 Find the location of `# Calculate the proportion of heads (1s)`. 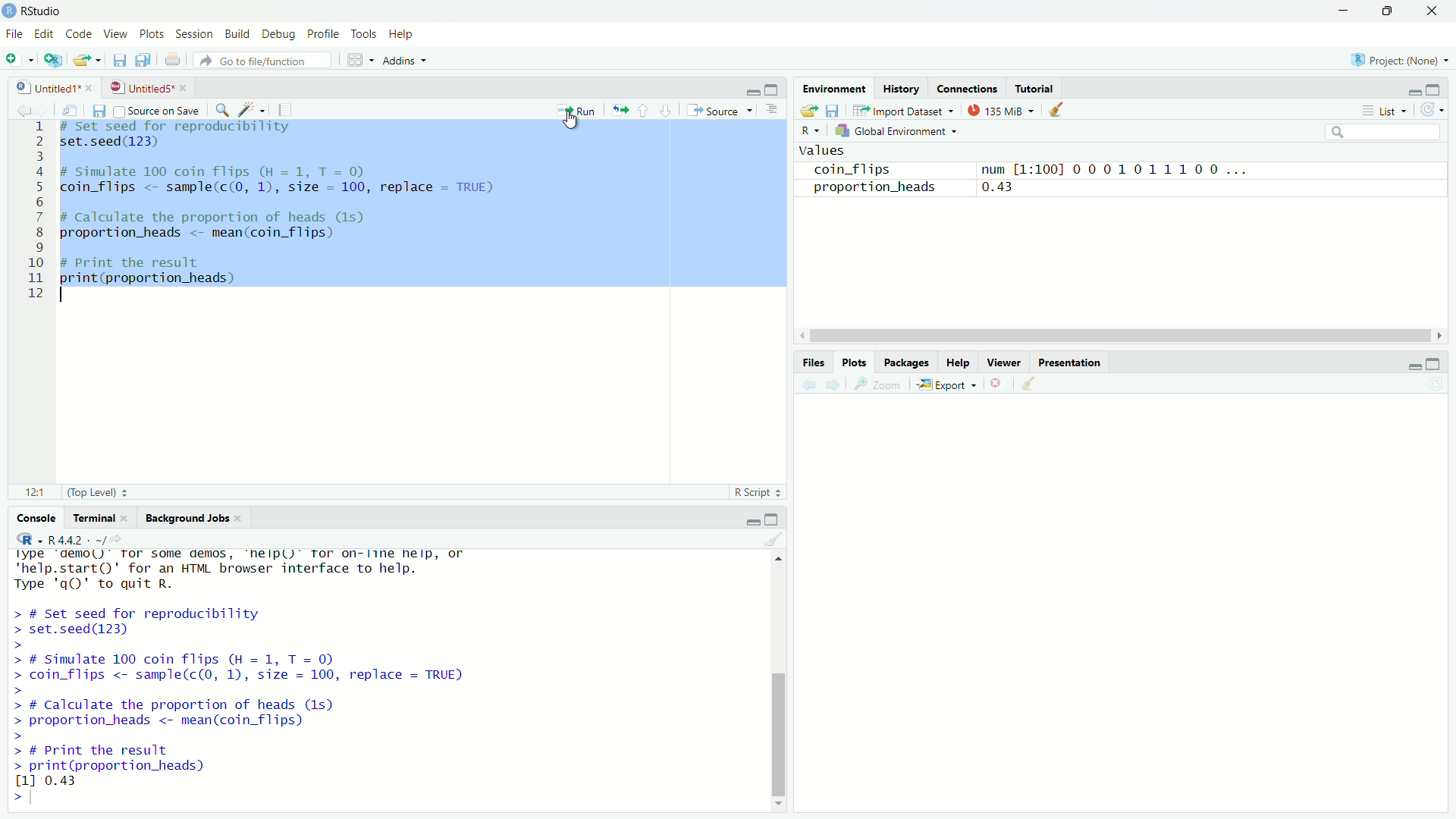

# Calculate the proportion of heads (1s) is located at coordinates (232, 218).